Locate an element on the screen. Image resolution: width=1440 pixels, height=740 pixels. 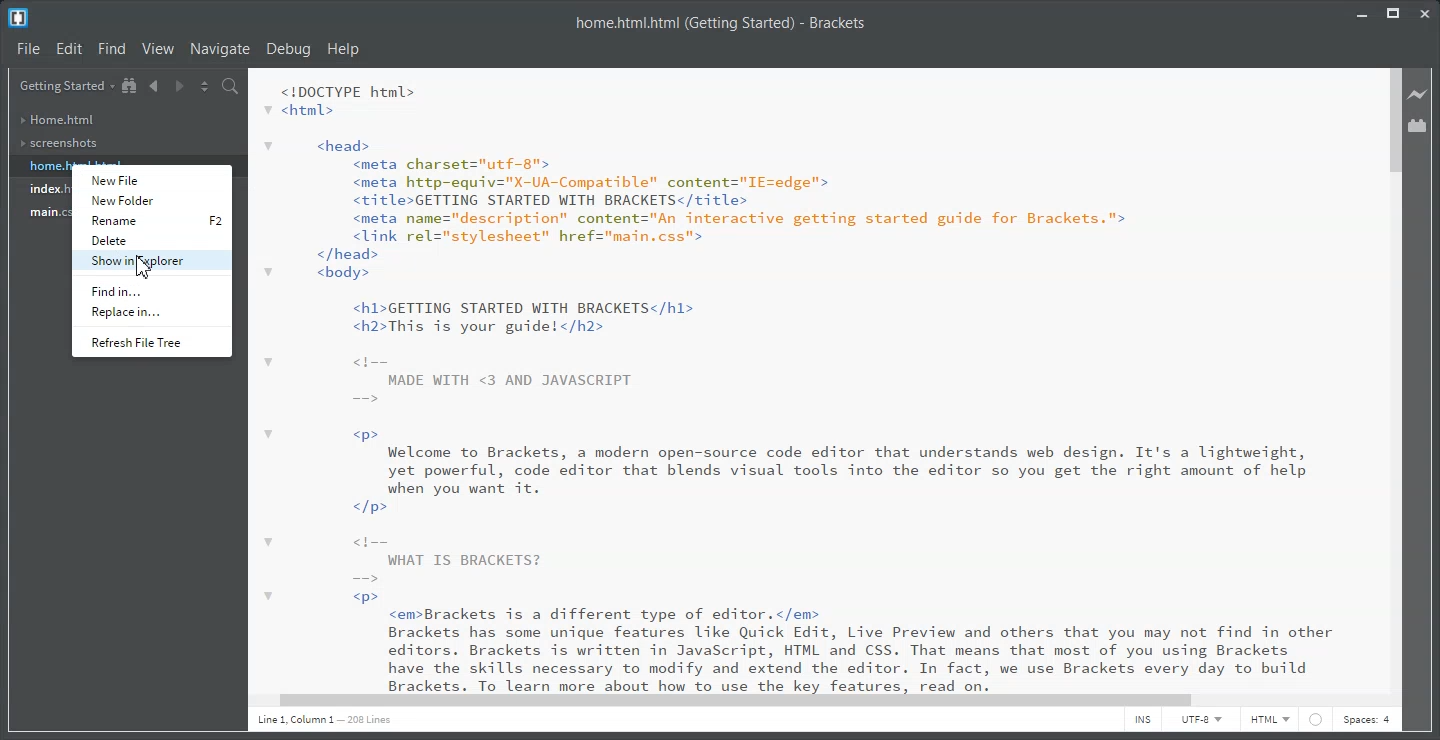
Navigate is located at coordinates (220, 48).